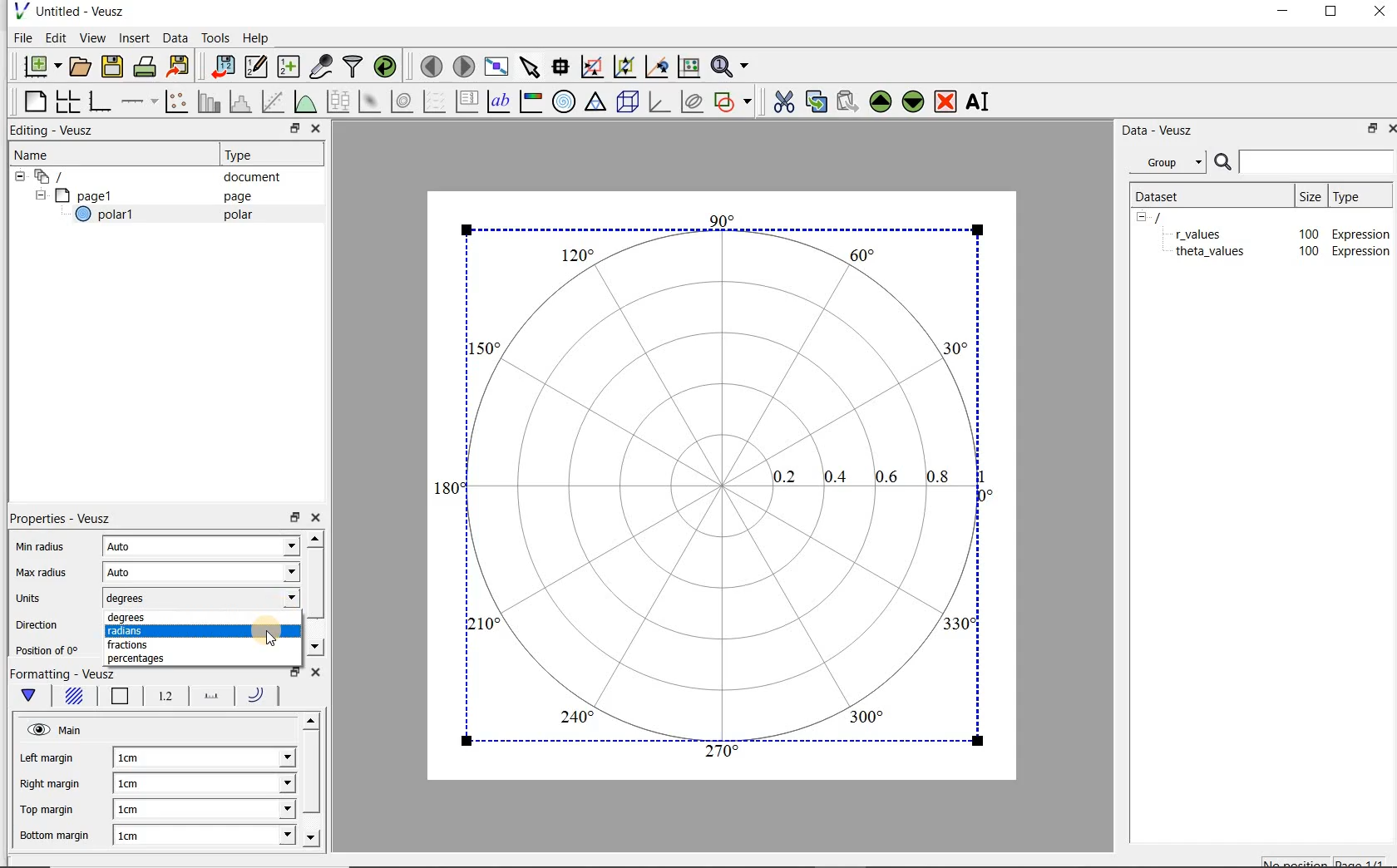 Image resolution: width=1397 pixels, height=868 pixels. I want to click on page1, so click(92, 196).